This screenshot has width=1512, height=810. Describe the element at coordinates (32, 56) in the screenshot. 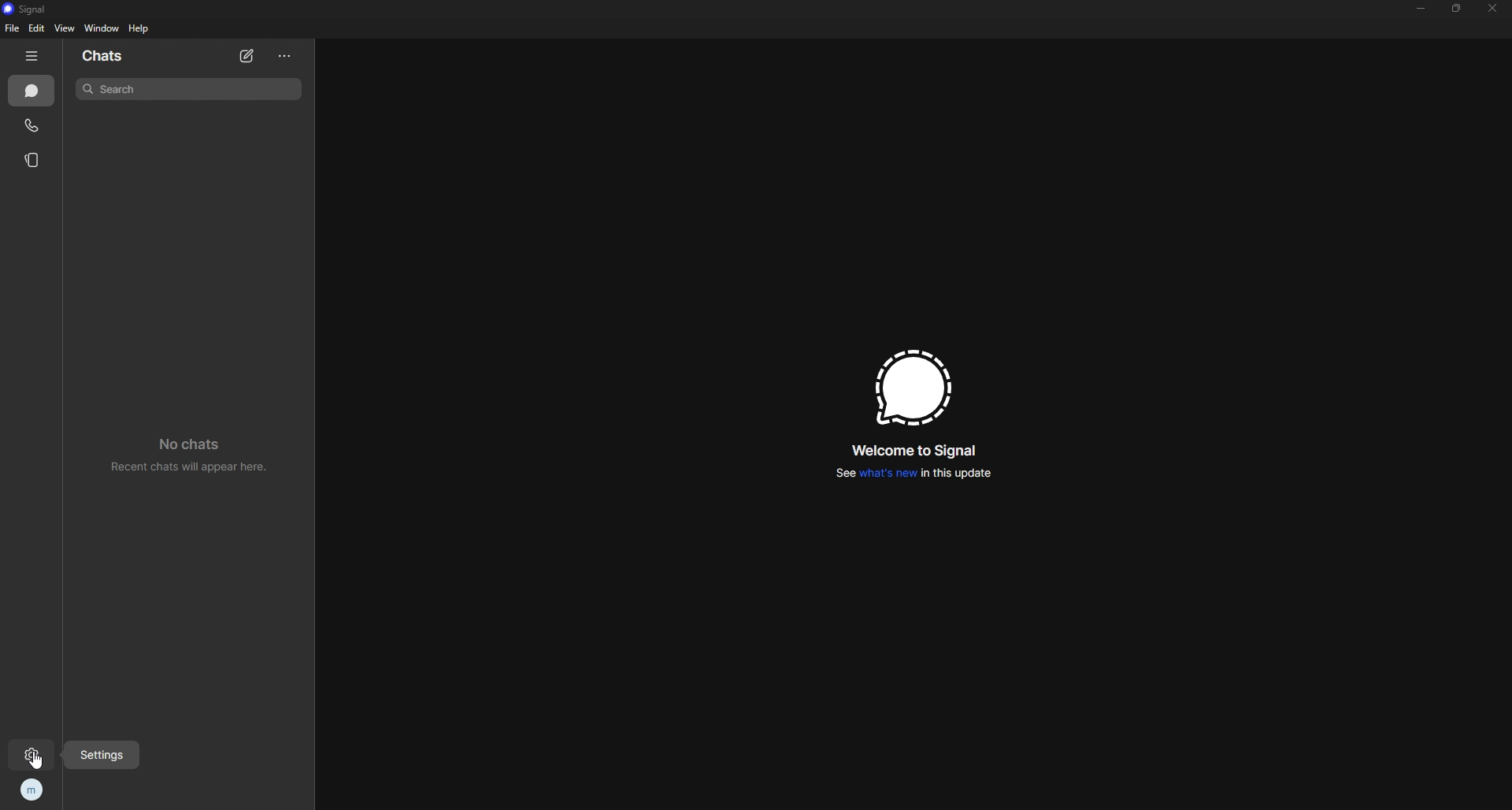

I see `hide tab` at that location.